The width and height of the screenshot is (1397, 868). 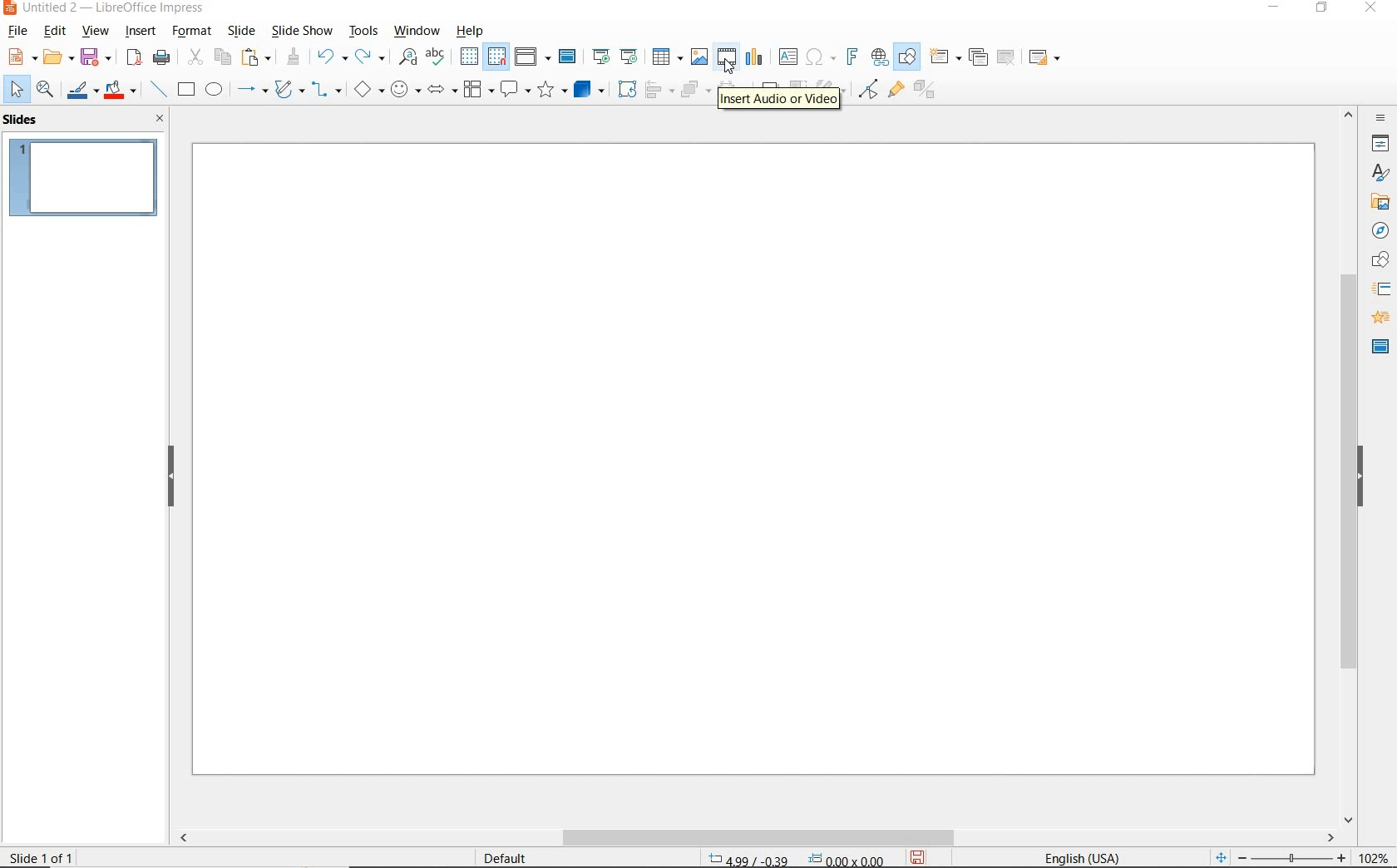 What do you see at coordinates (186, 89) in the screenshot?
I see `RECTANGLE` at bounding box center [186, 89].